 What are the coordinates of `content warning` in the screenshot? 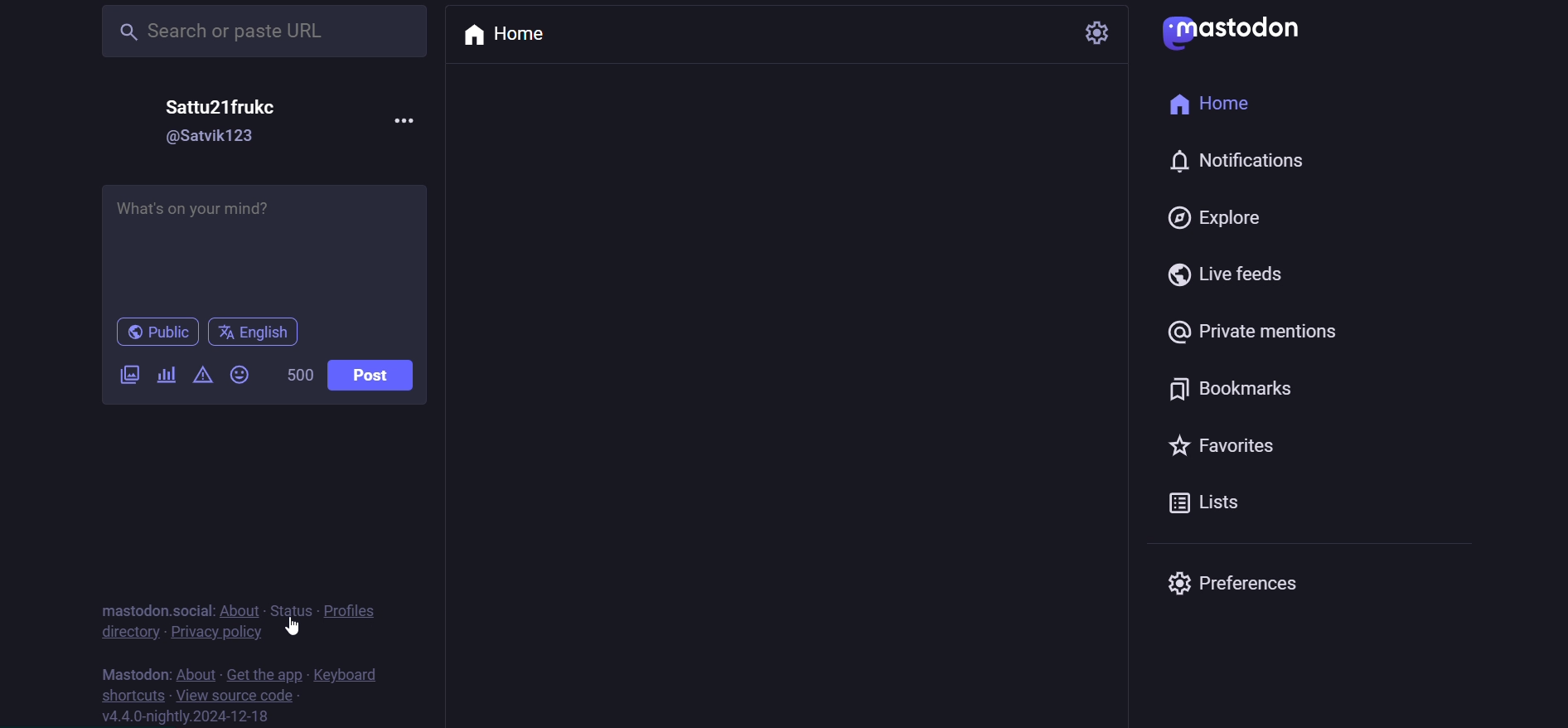 It's located at (203, 376).